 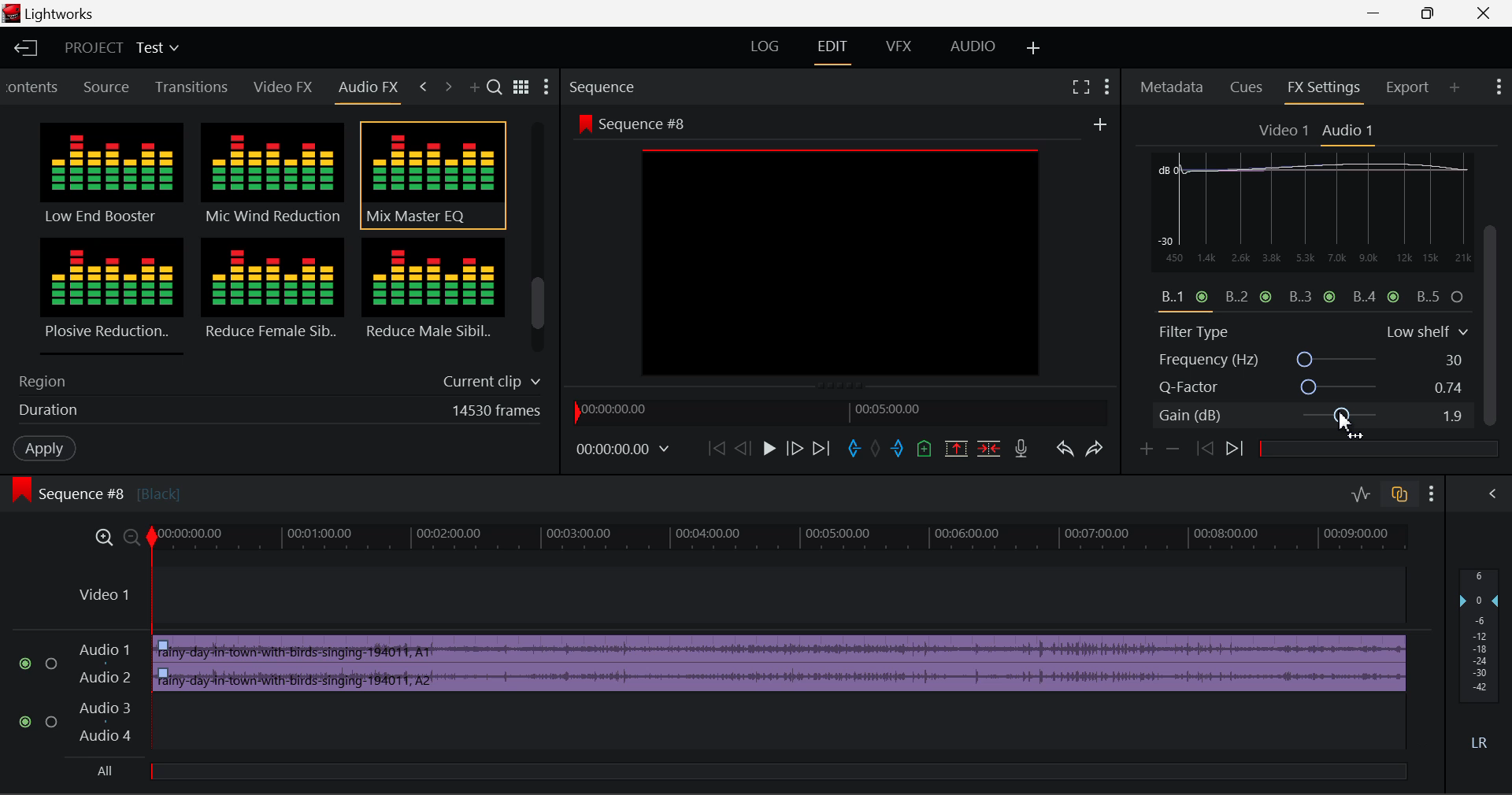 I want to click on EQ Menu Open, so click(x=1167, y=164).